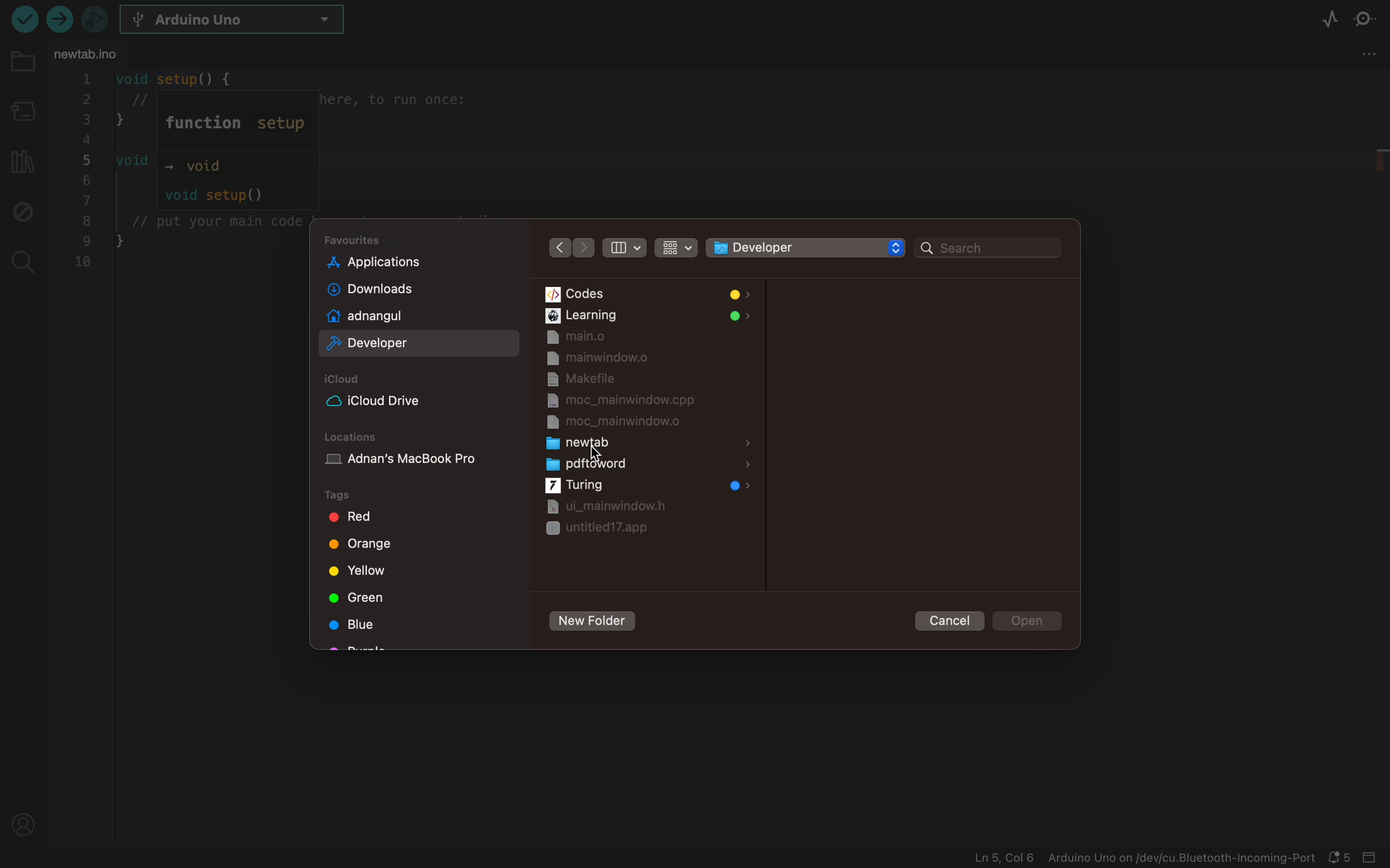 The image size is (1390, 868). Describe the element at coordinates (603, 506) in the screenshot. I see `ui mainwindow` at that location.